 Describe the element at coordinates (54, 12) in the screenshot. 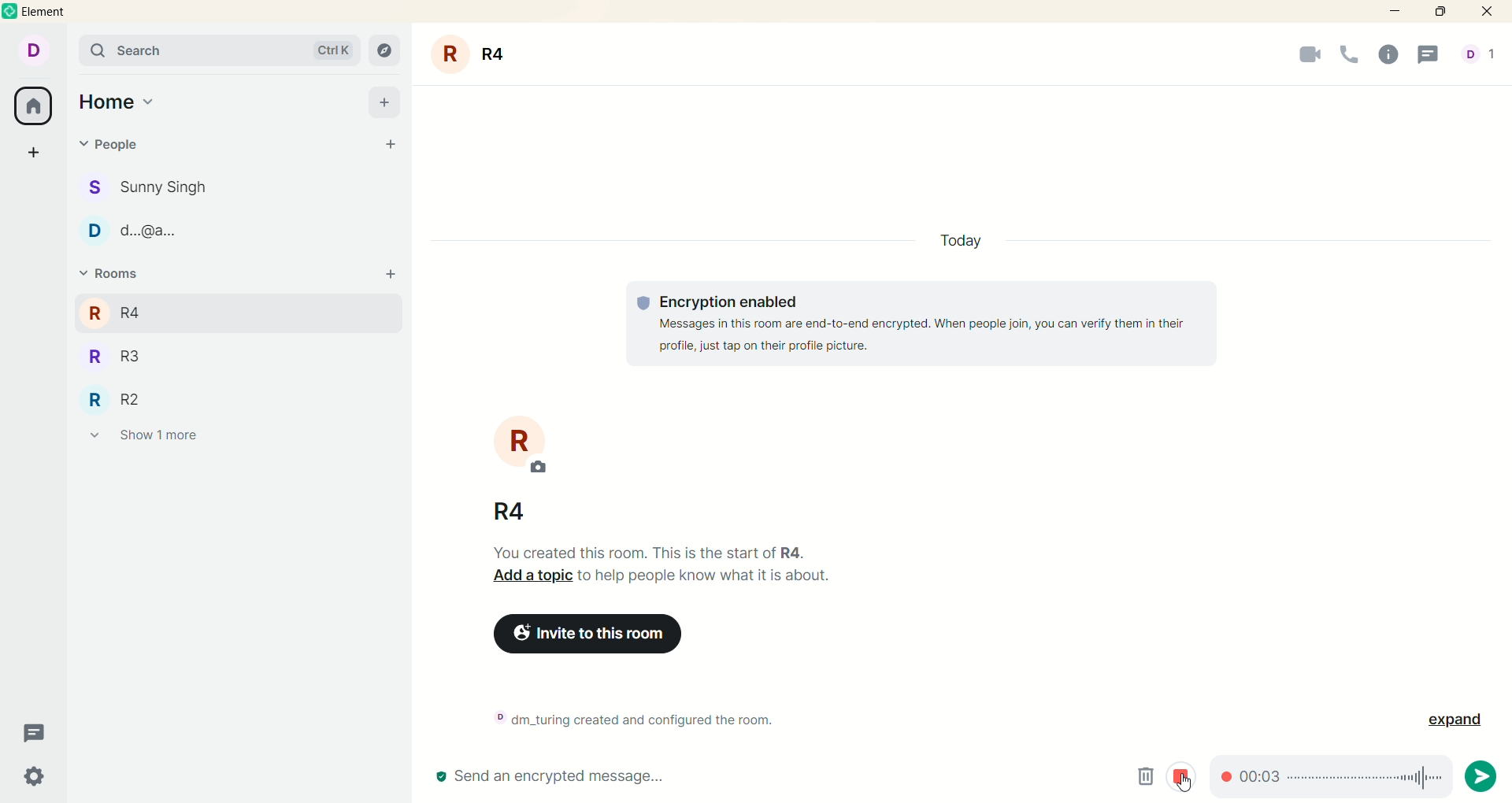

I see `element` at that location.